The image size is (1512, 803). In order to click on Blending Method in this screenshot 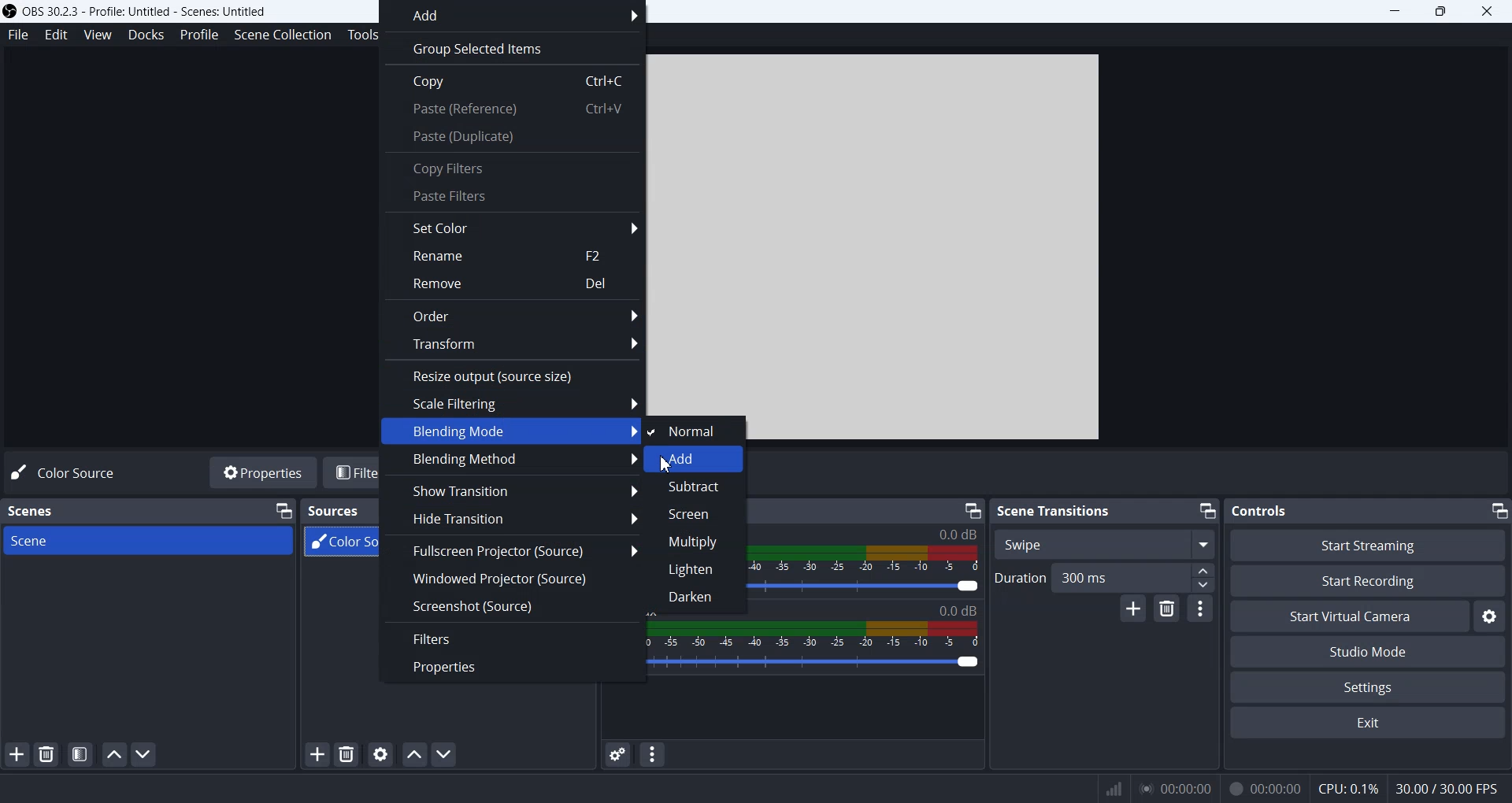, I will do `click(510, 461)`.